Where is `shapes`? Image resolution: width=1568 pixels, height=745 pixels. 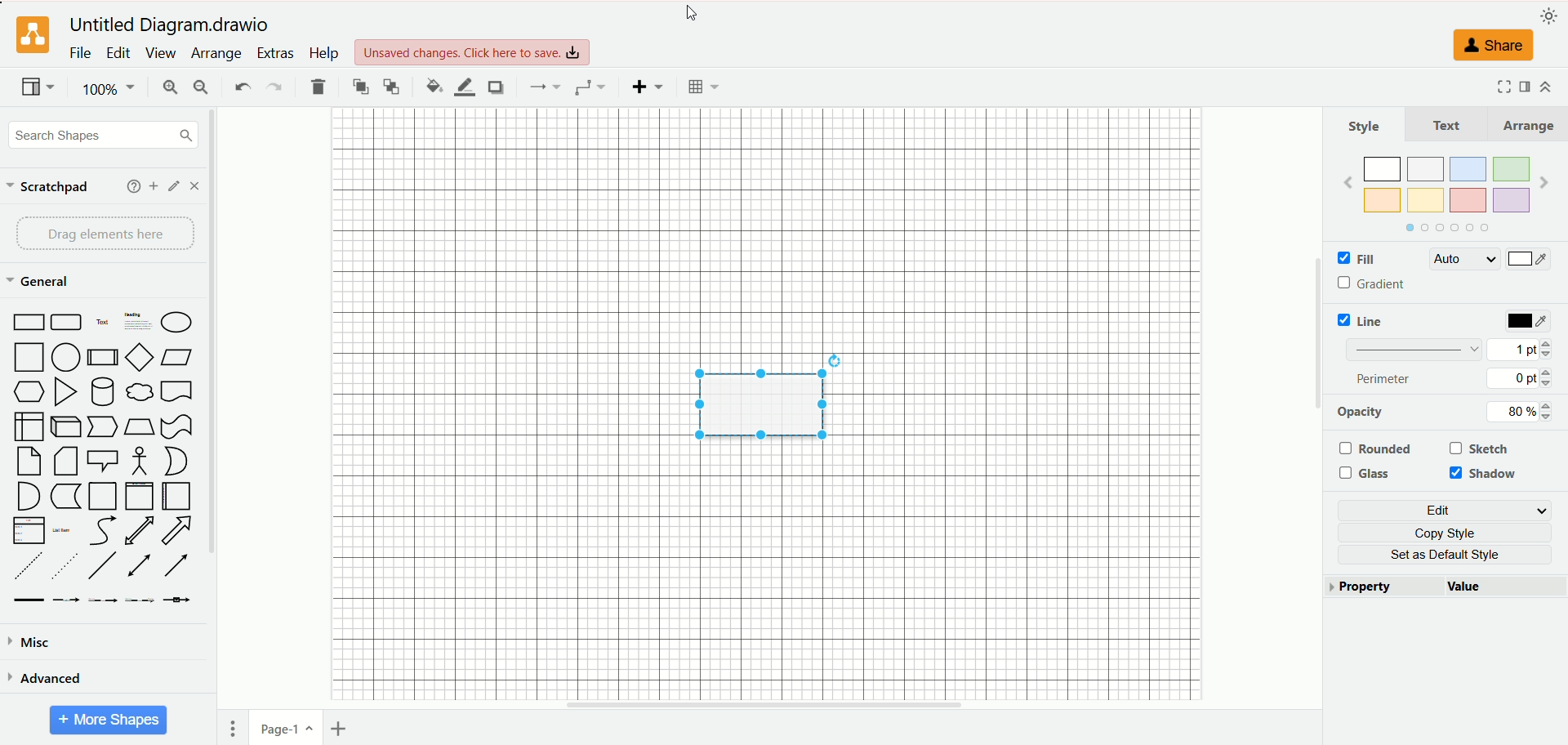 shapes is located at coordinates (102, 459).